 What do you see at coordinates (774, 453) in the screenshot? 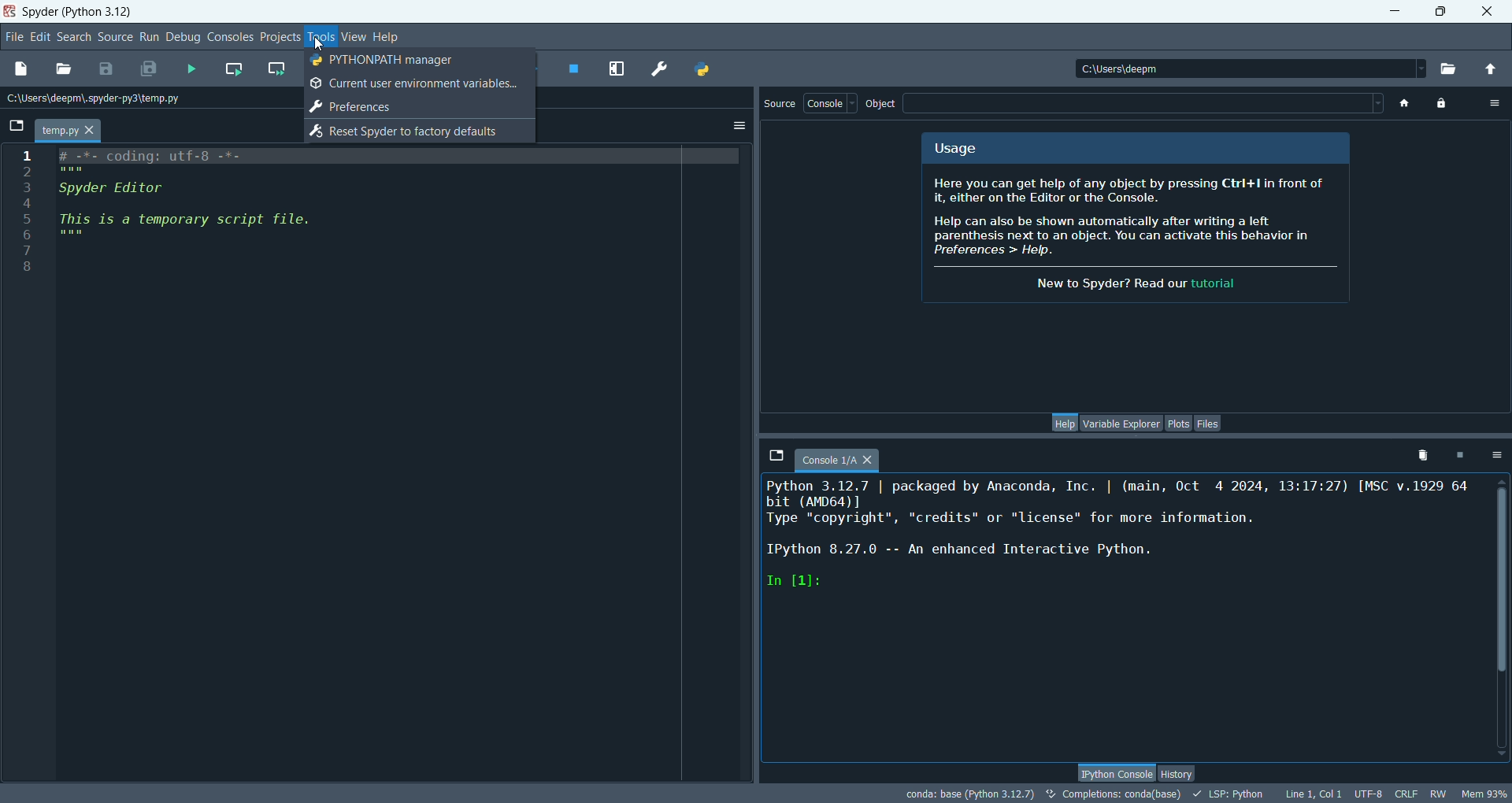
I see `browse tabs` at bounding box center [774, 453].